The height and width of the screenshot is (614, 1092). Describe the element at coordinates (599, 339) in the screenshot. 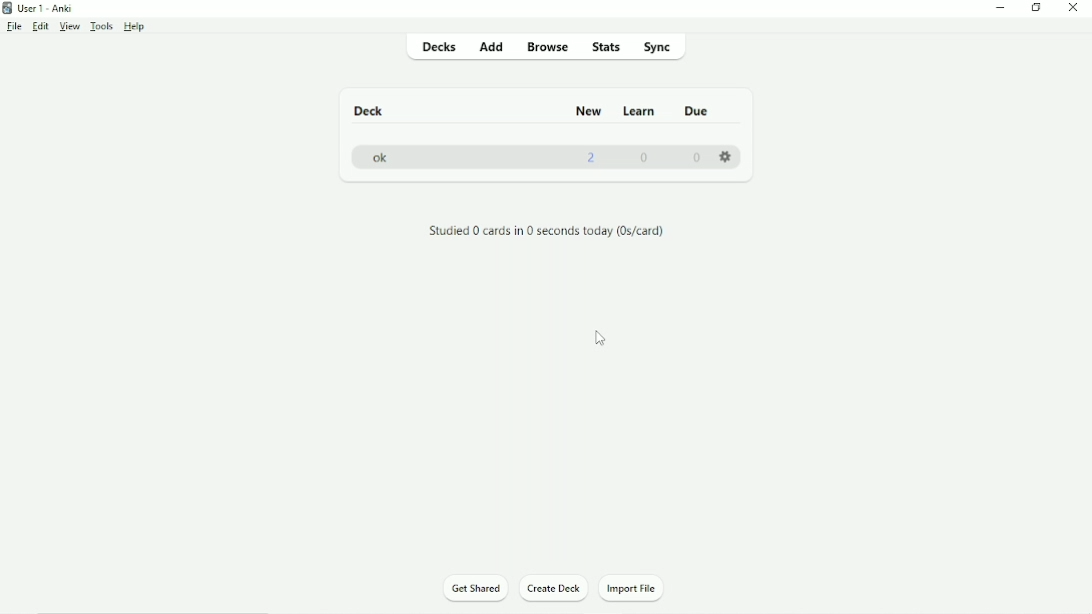

I see `Cursor` at that location.